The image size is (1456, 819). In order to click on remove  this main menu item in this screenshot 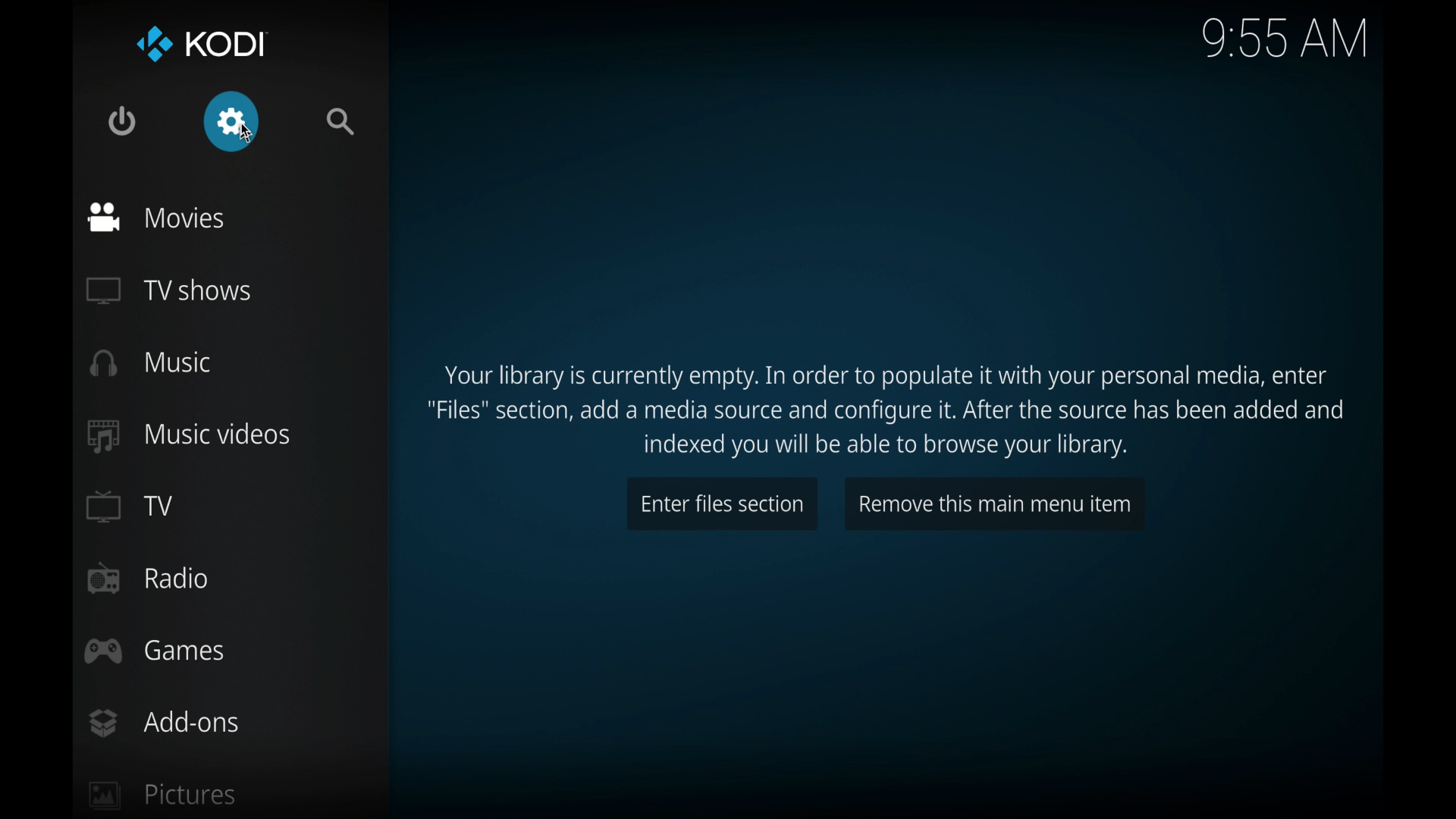, I will do `click(993, 504)`.